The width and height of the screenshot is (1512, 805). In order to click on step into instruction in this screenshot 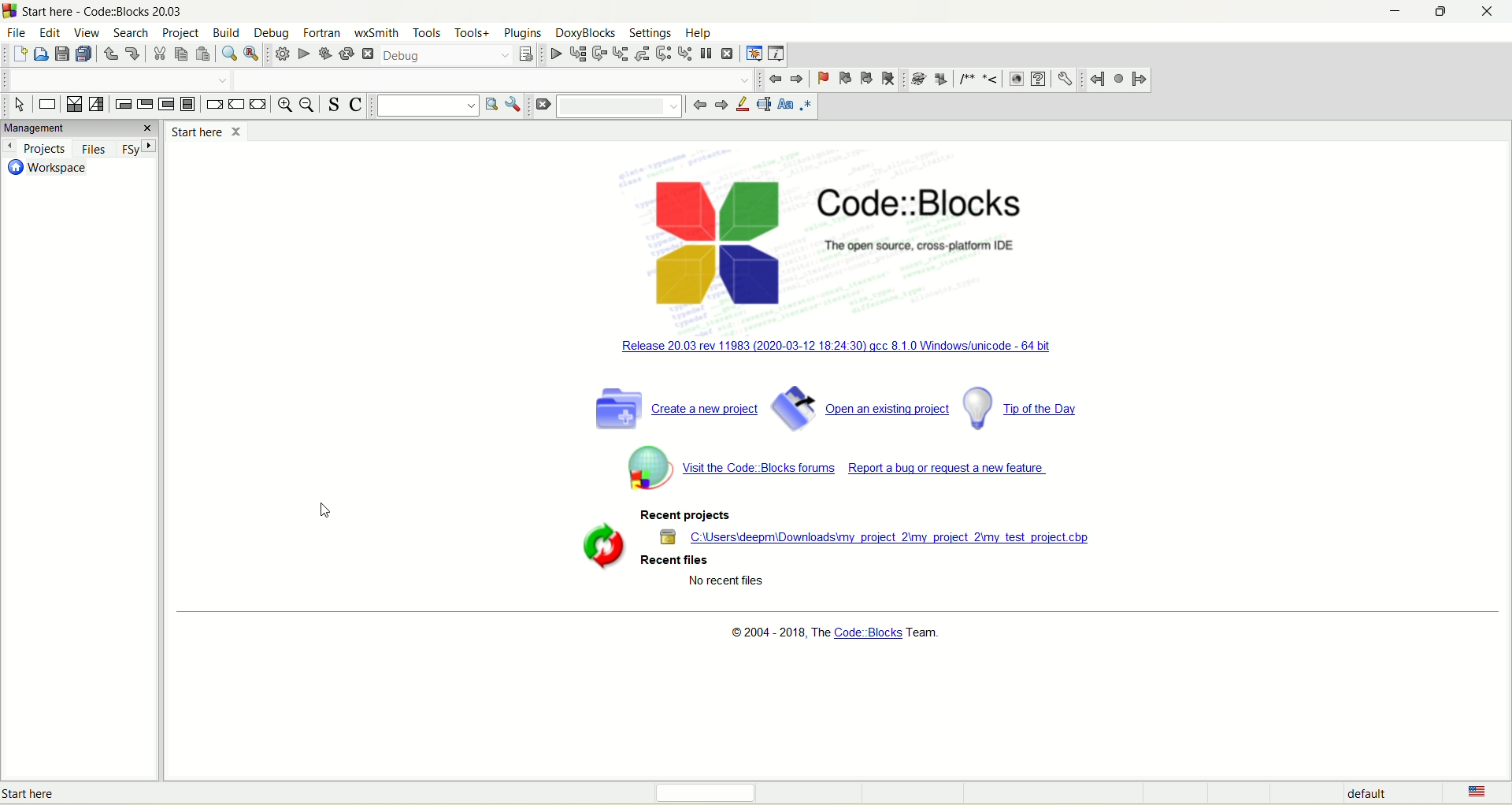, I will do `click(686, 53)`.